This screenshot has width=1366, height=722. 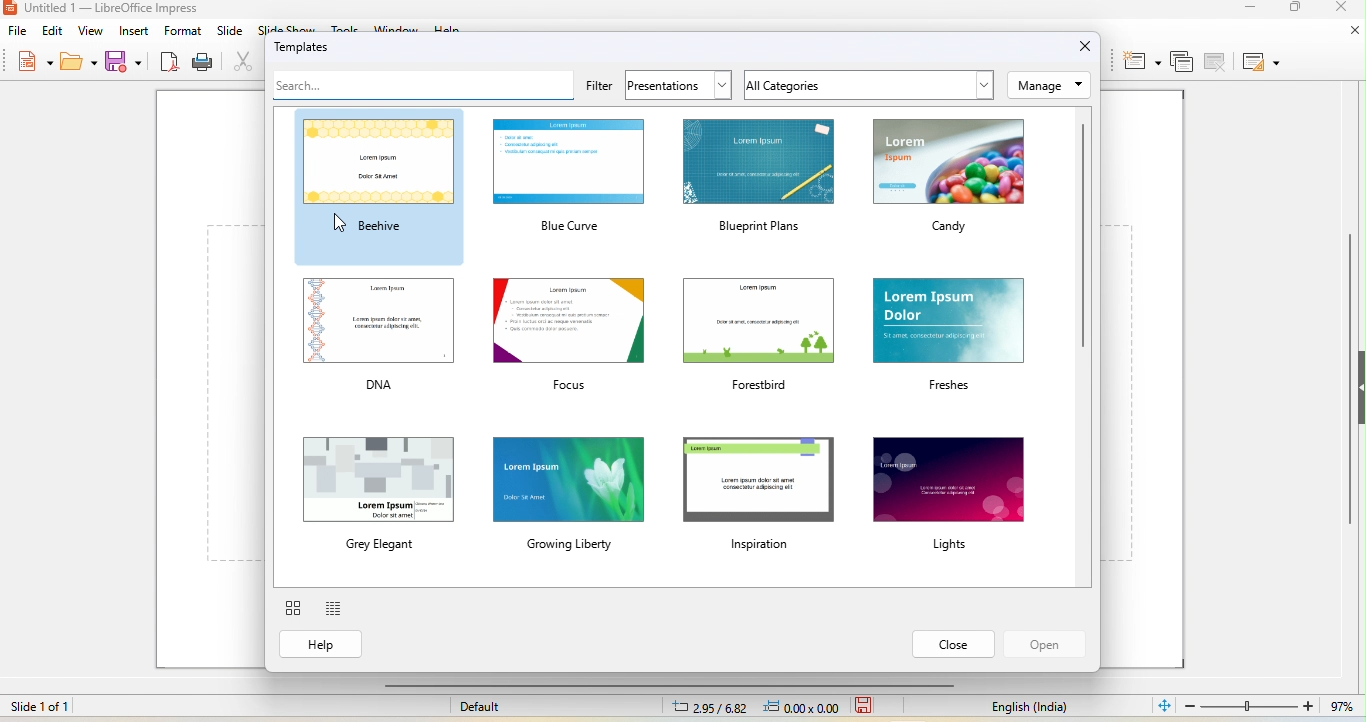 I want to click on list view, so click(x=334, y=609).